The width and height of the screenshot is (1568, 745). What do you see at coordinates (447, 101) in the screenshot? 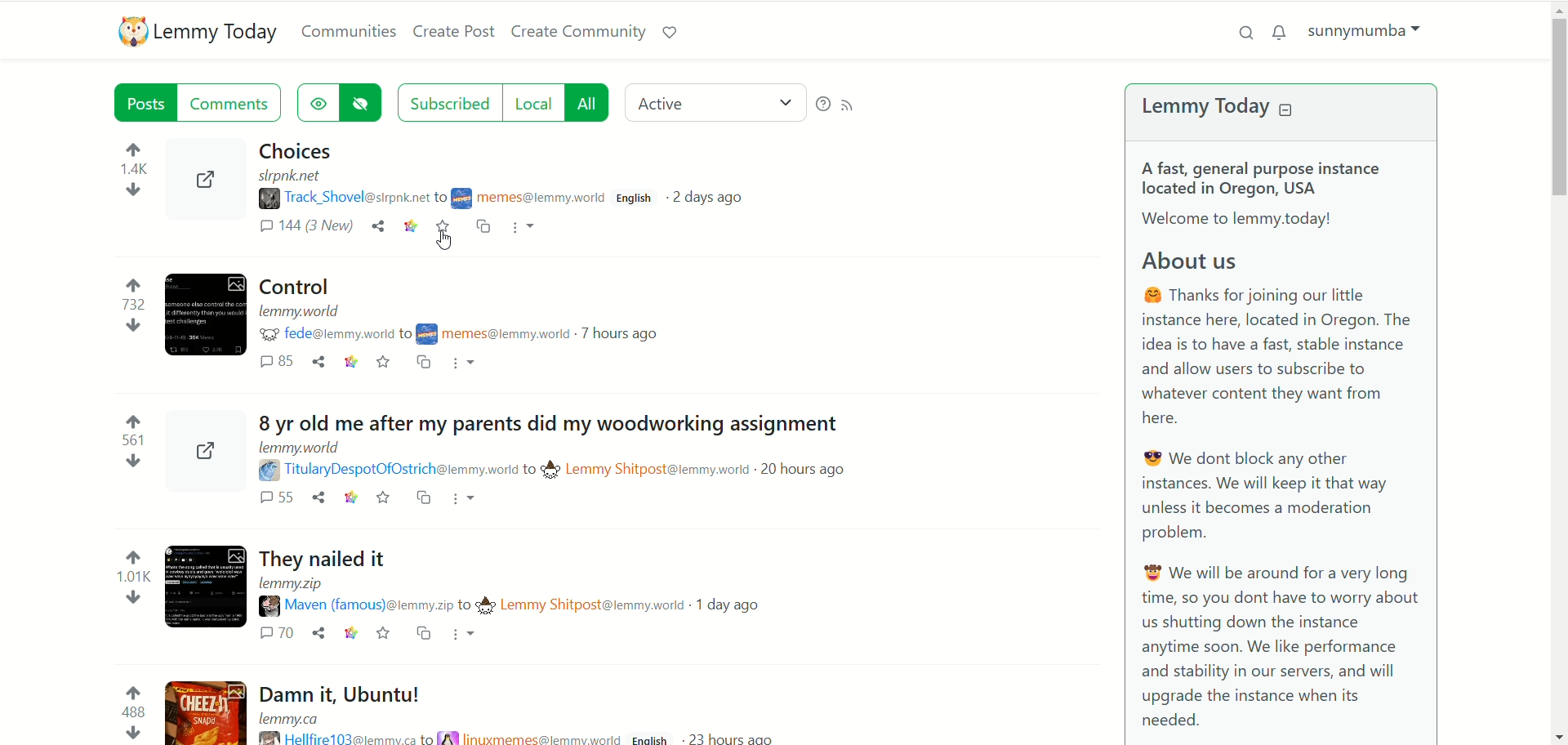
I see `subscribed` at bounding box center [447, 101].